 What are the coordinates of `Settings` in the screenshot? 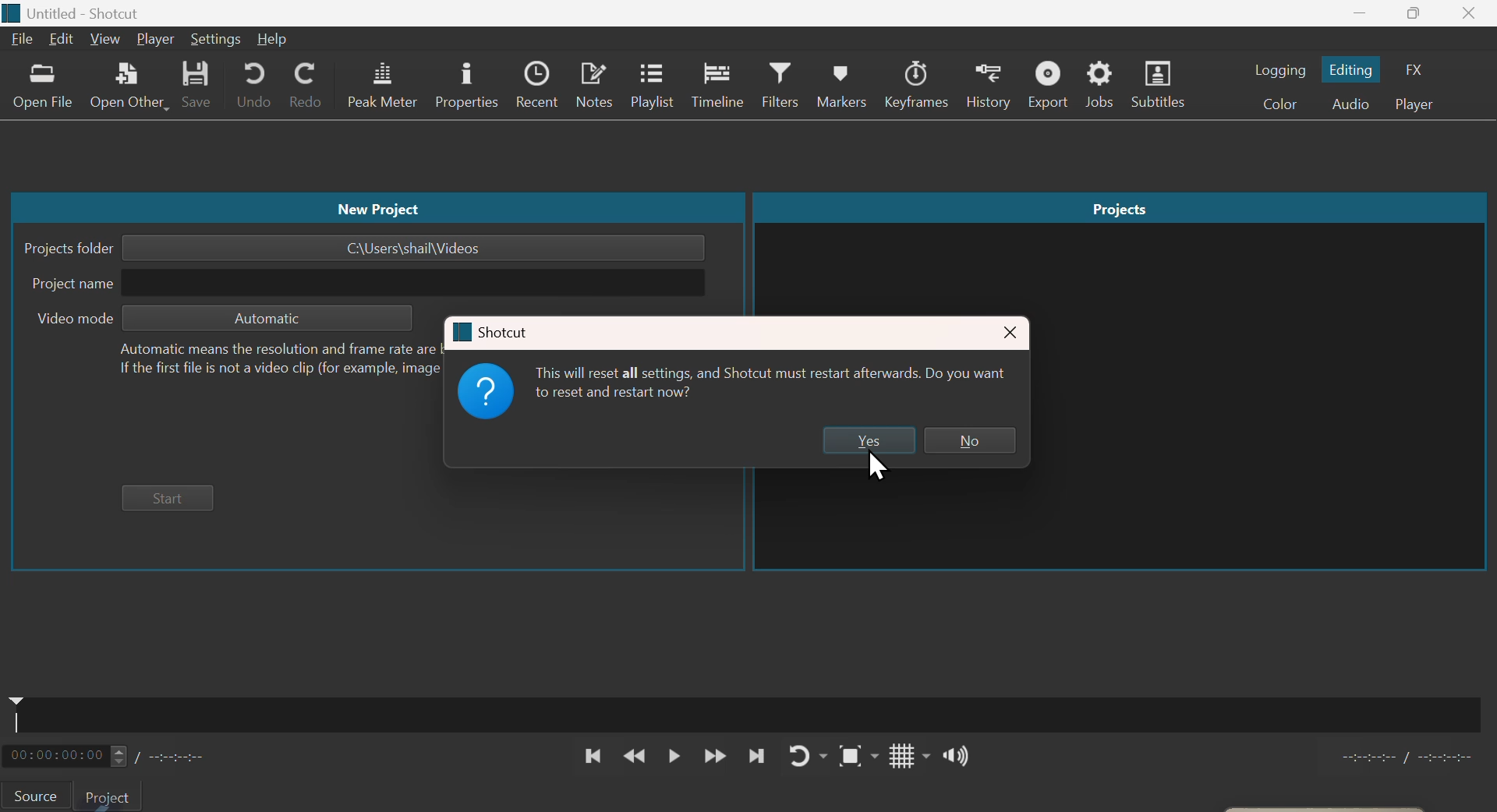 It's located at (214, 38).